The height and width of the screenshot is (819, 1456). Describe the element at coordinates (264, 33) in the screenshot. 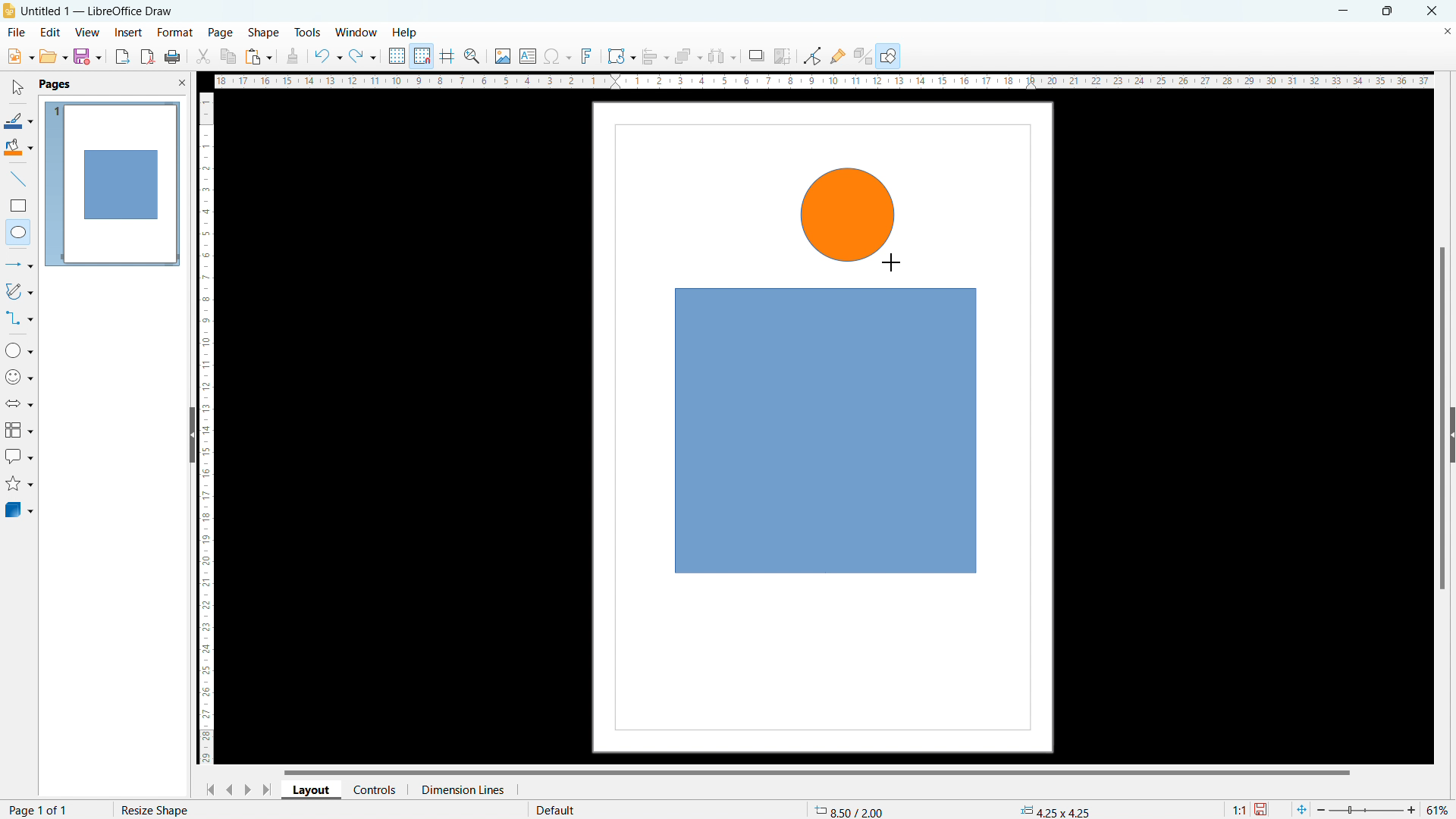

I see `shape` at that location.